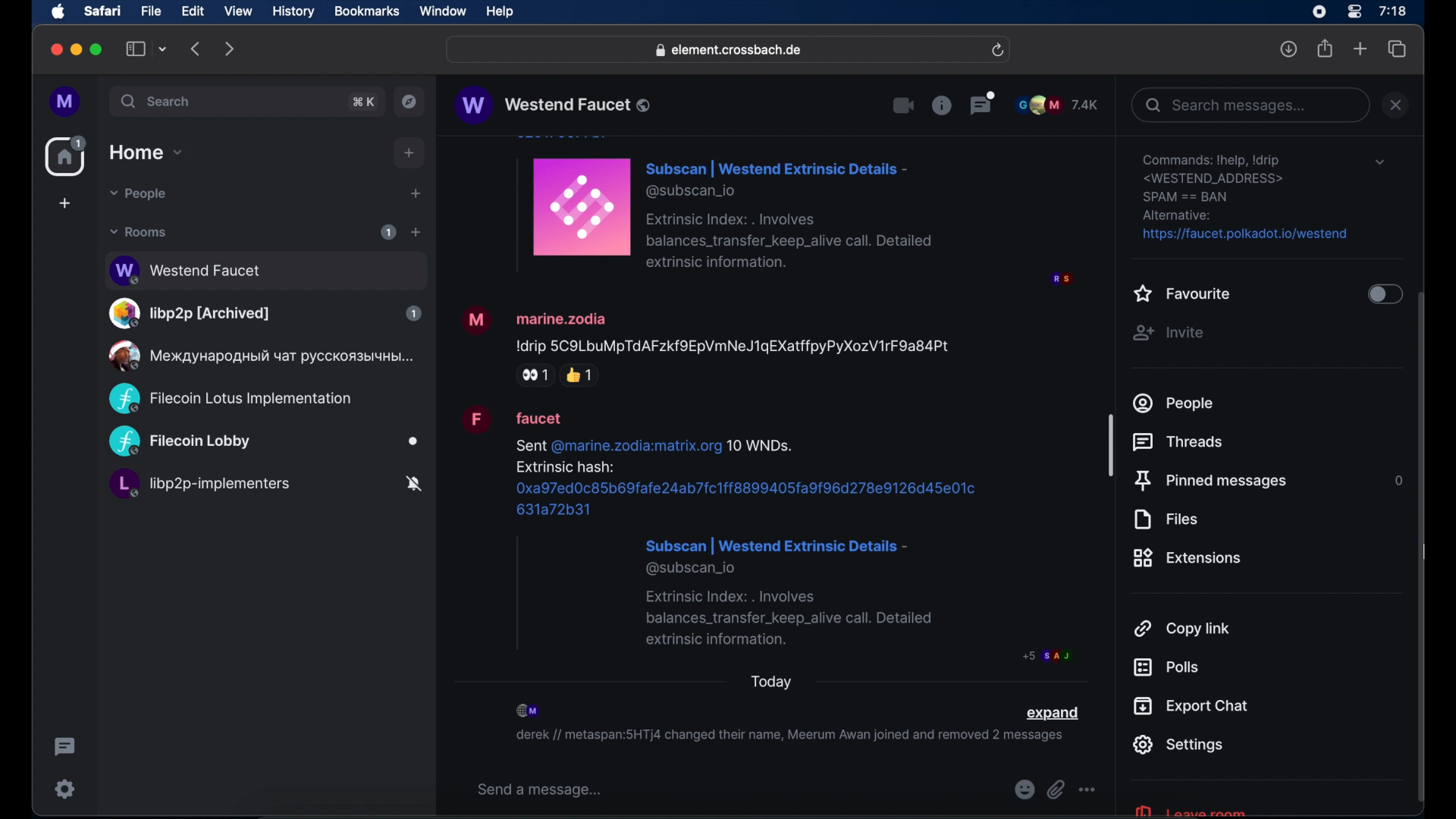  What do you see at coordinates (1398, 49) in the screenshot?
I see `show tab overview` at bounding box center [1398, 49].